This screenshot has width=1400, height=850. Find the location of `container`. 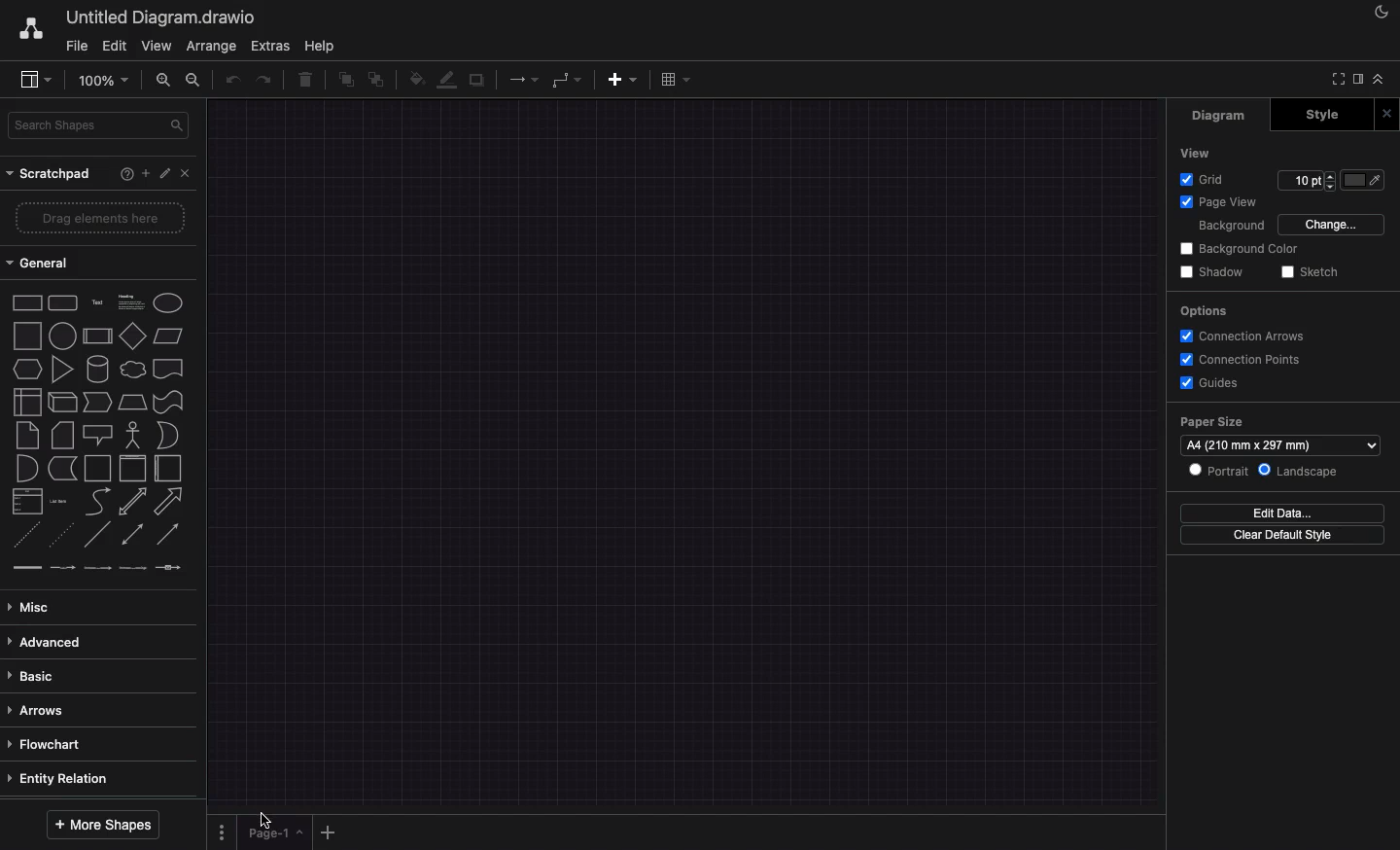

container is located at coordinates (98, 469).